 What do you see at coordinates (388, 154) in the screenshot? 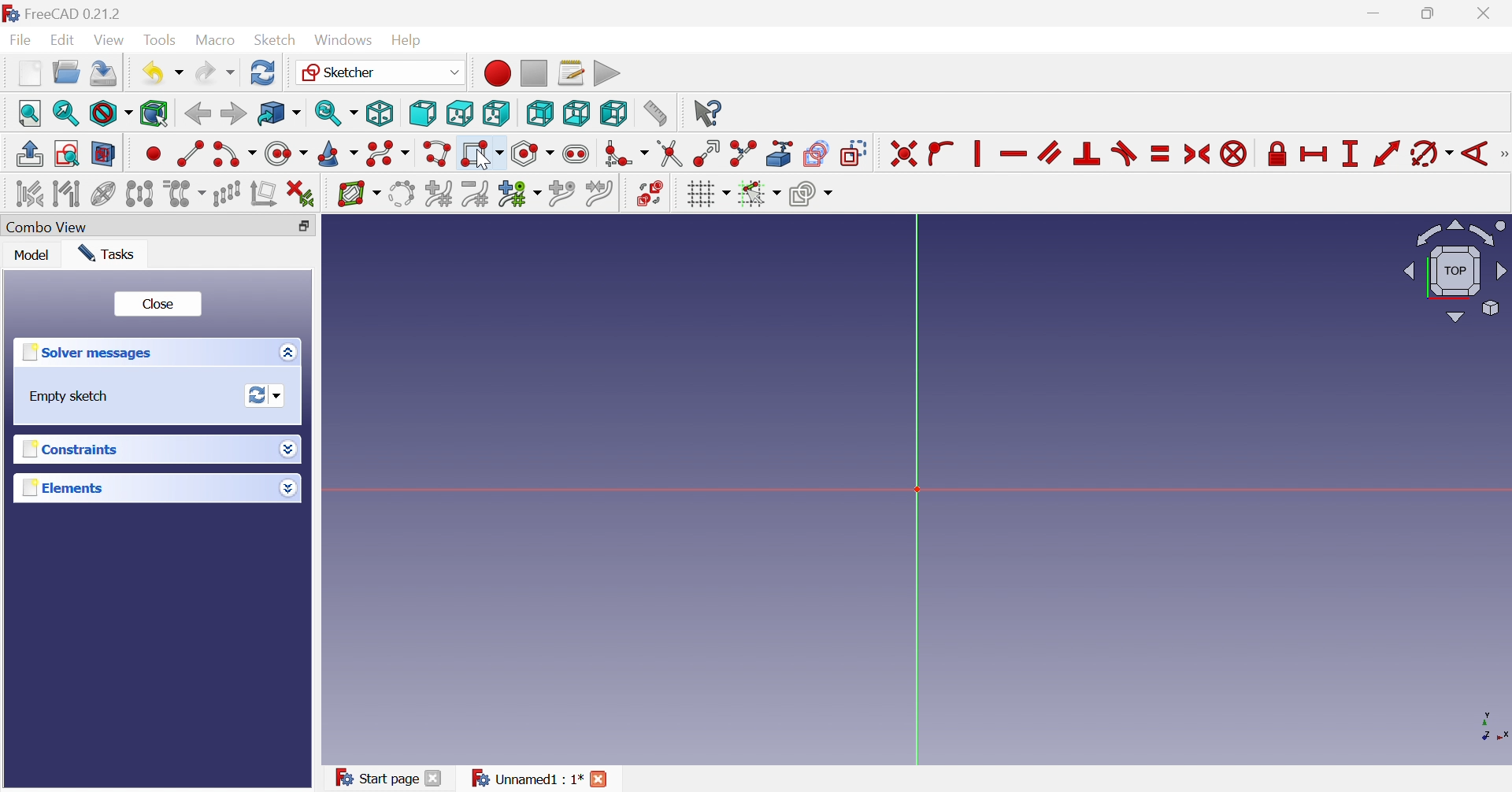
I see `Create B-spline` at bounding box center [388, 154].